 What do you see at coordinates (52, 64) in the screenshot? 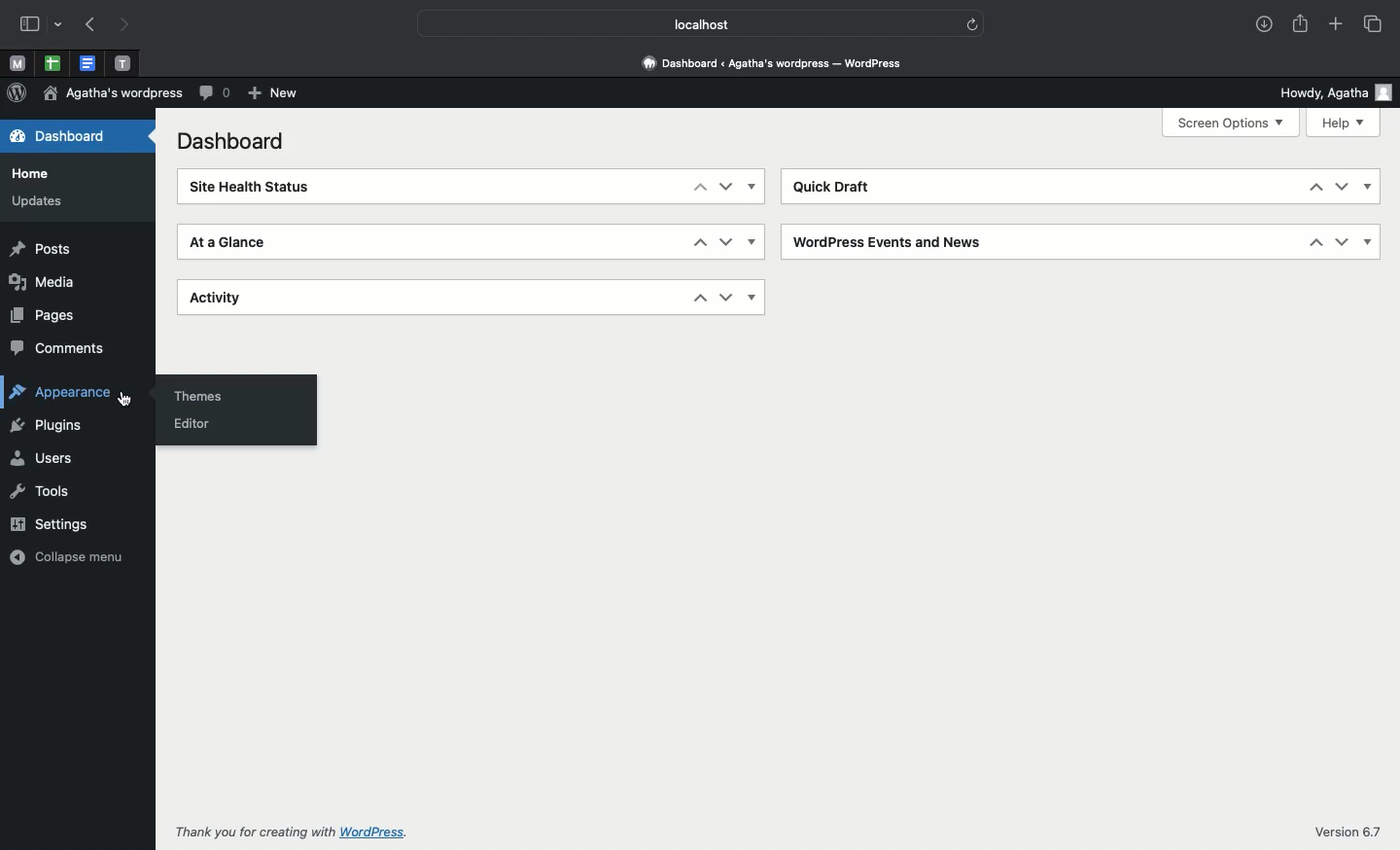
I see `Pinned tab` at bounding box center [52, 64].